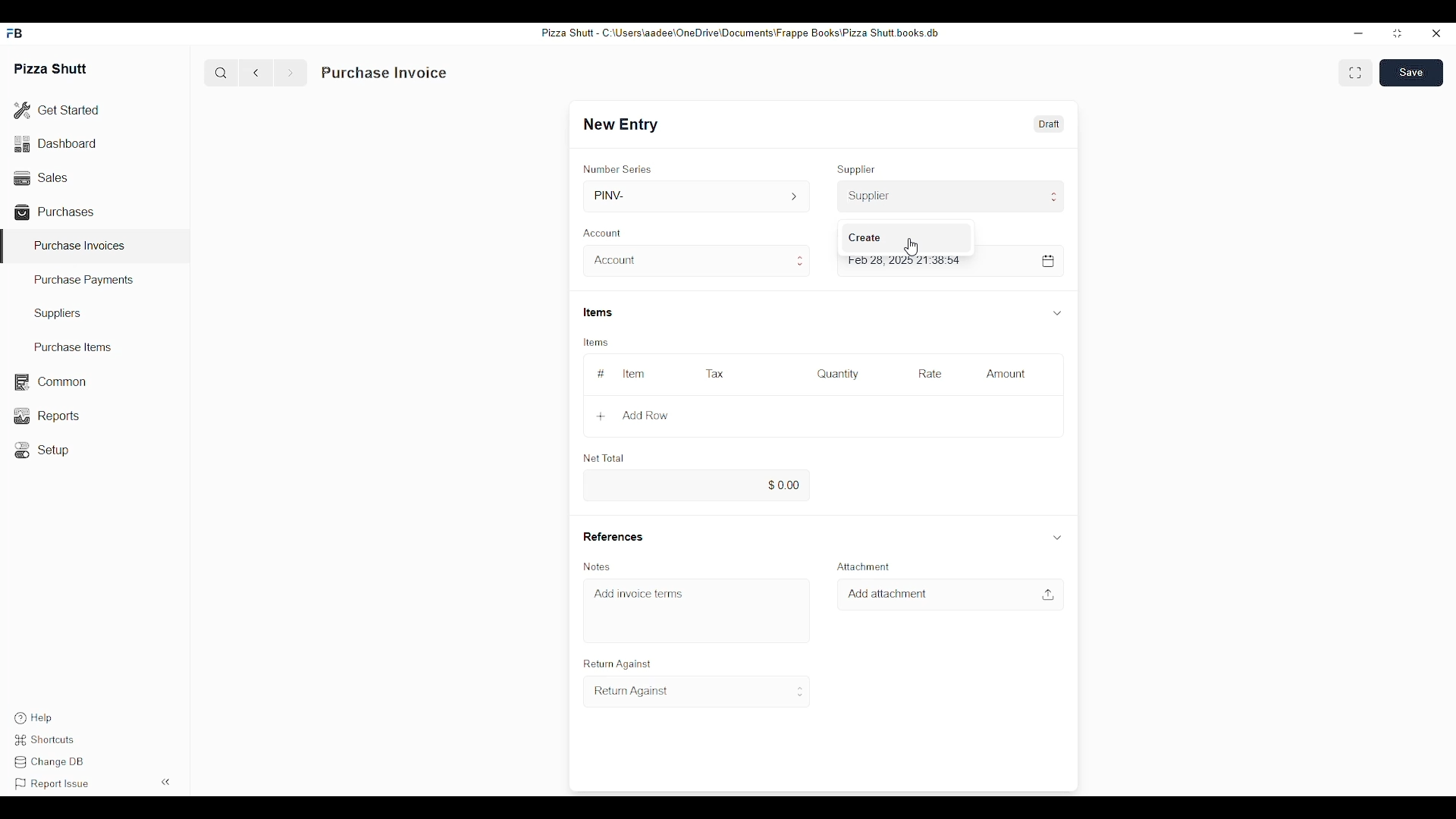 This screenshot has width=1456, height=819. Describe the element at coordinates (1414, 72) in the screenshot. I see `Save` at that location.